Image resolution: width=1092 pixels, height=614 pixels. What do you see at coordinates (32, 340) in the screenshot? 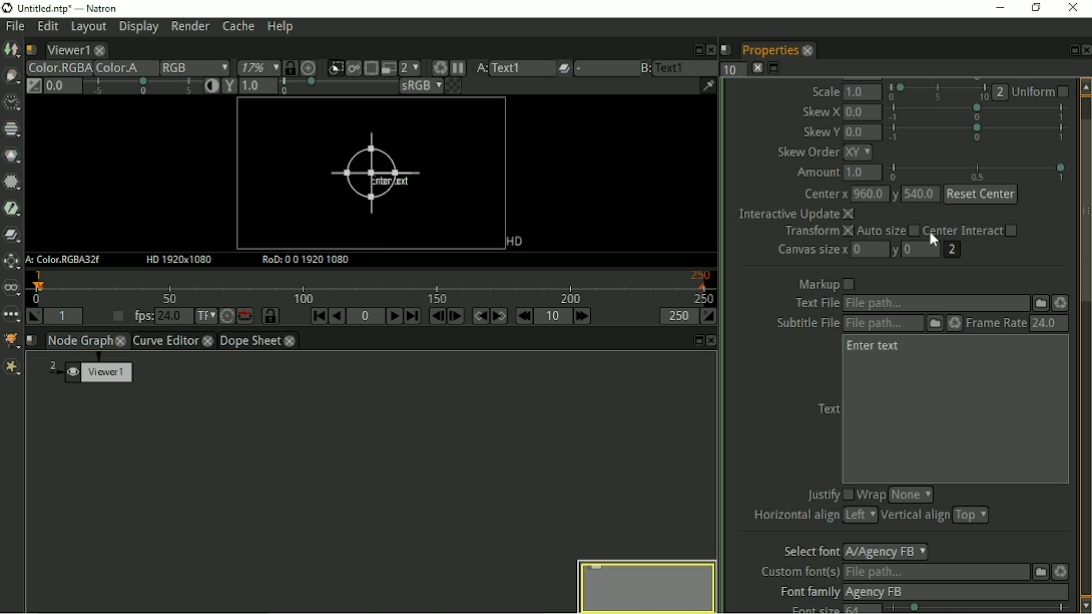
I see `Script name` at bounding box center [32, 340].